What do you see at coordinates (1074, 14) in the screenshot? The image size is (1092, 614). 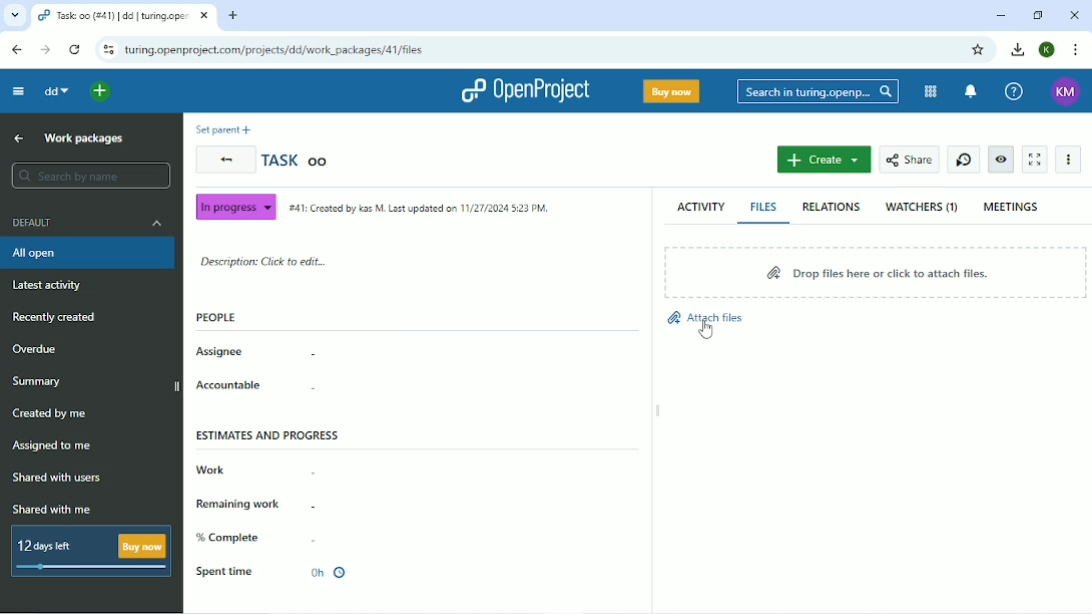 I see `Close` at bounding box center [1074, 14].